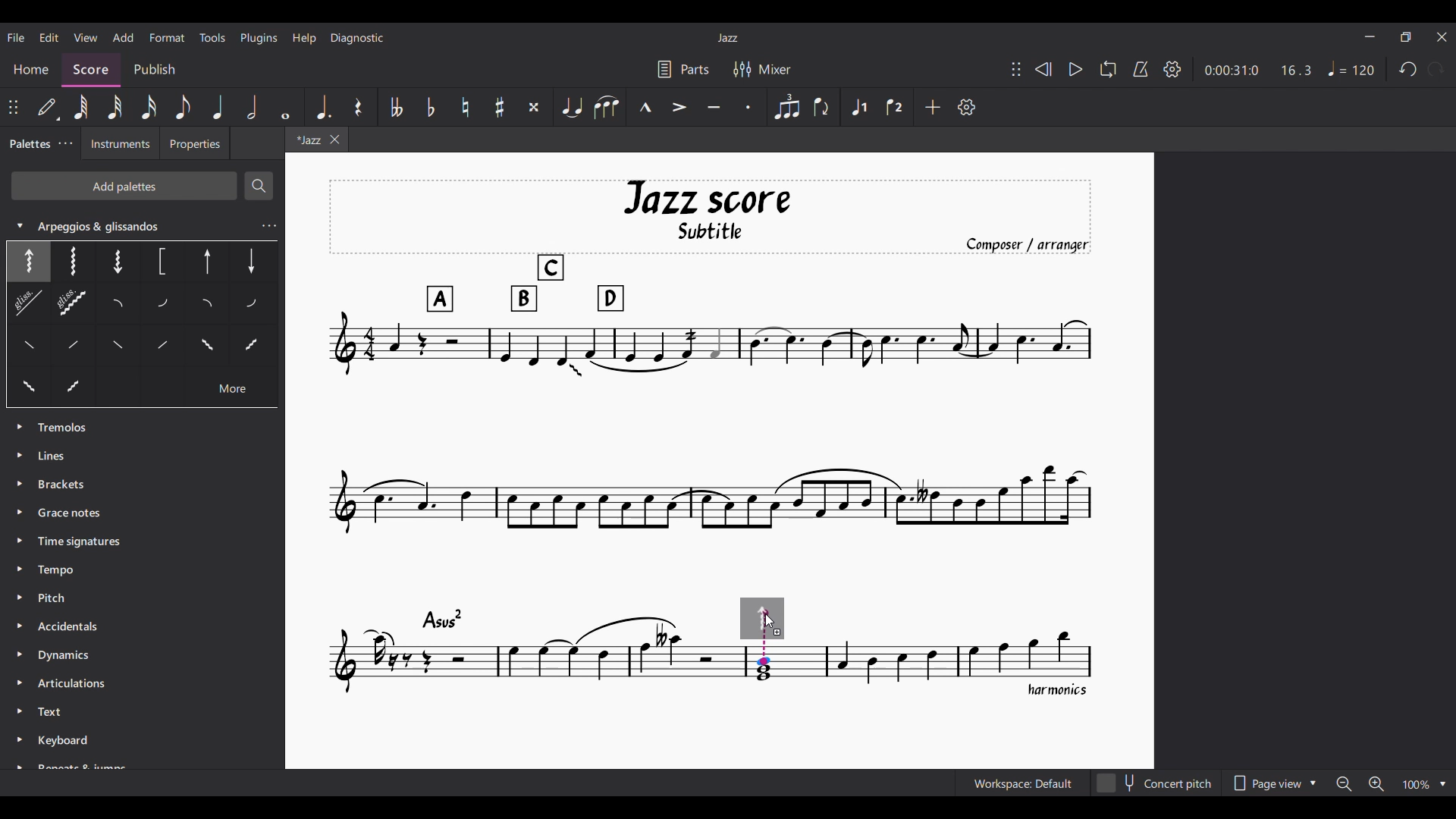 The height and width of the screenshot is (819, 1456). What do you see at coordinates (252, 106) in the screenshot?
I see `Half note` at bounding box center [252, 106].